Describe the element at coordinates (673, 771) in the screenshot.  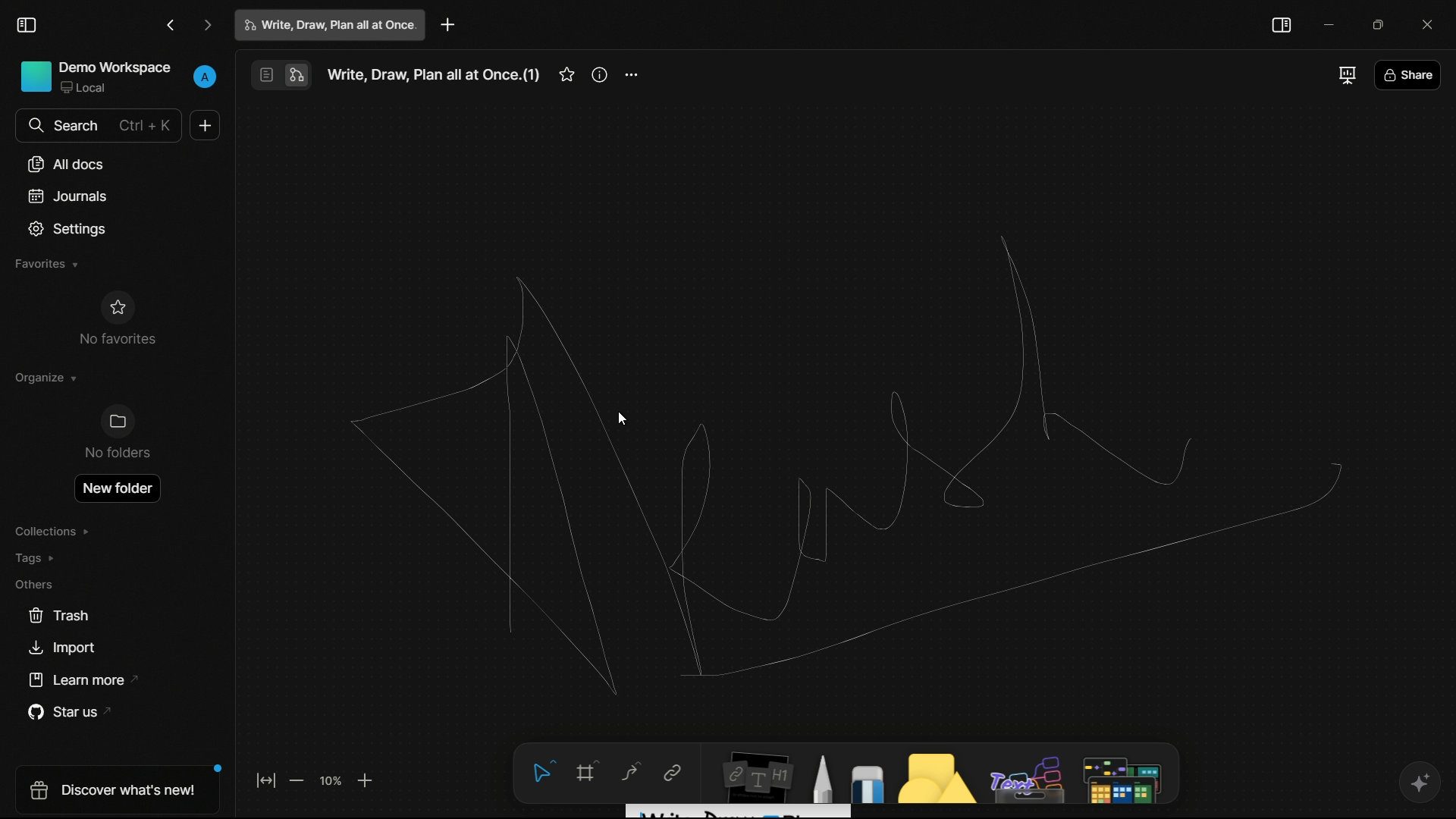
I see `link` at that location.